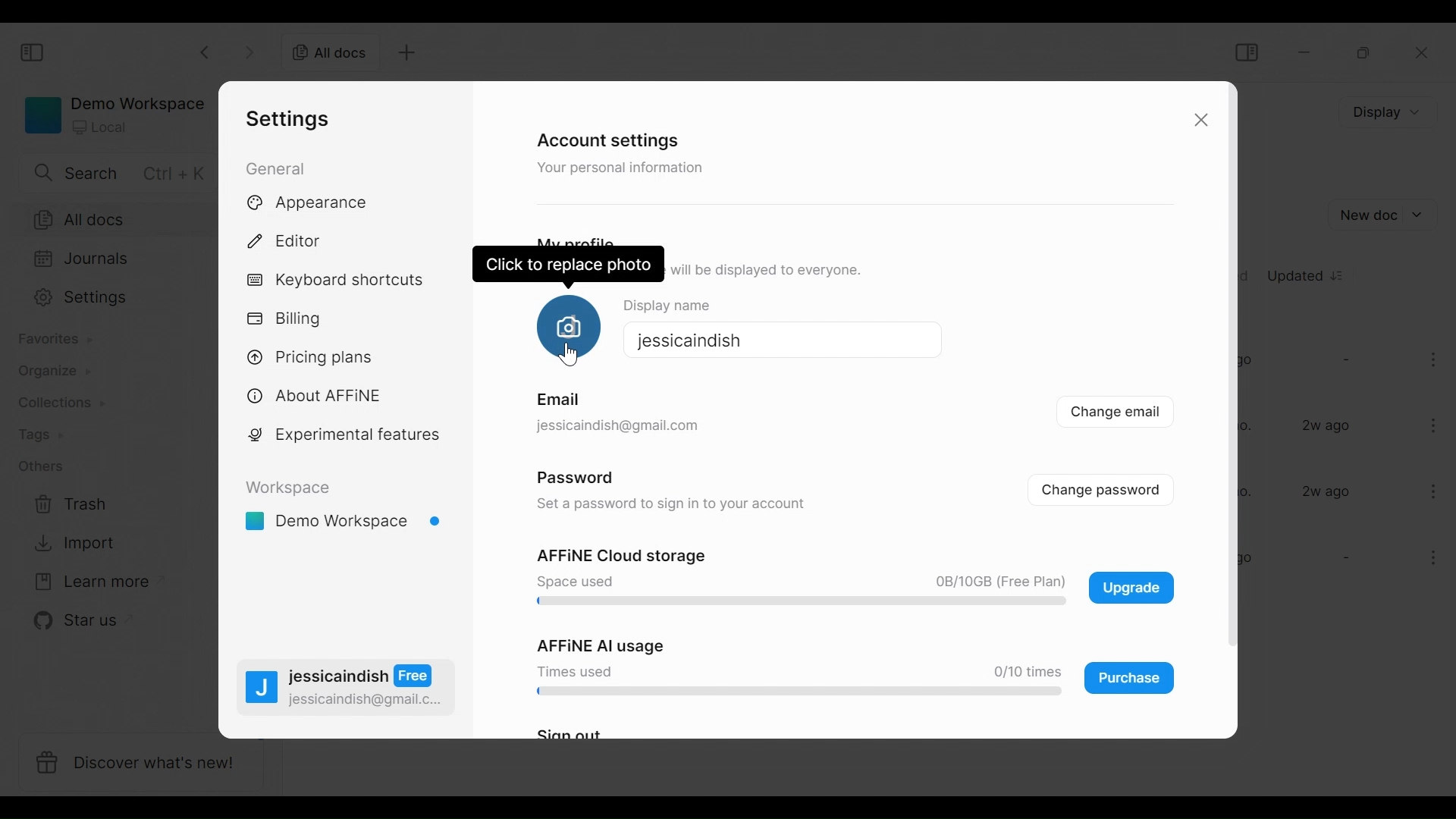  What do you see at coordinates (1307, 52) in the screenshot?
I see `minimize` at bounding box center [1307, 52].